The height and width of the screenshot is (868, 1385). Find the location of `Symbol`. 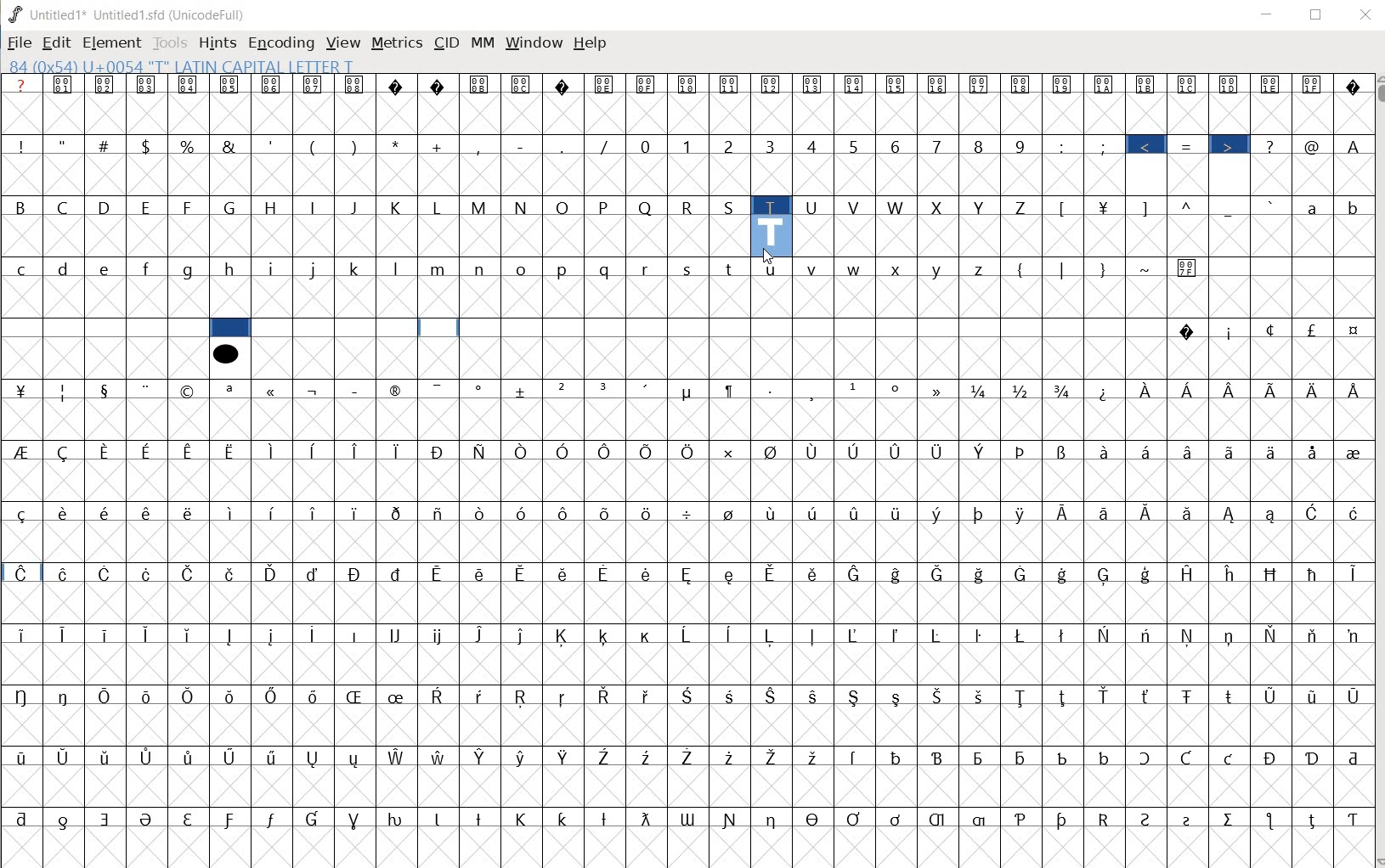

Symbol is located at coordinates (1022, 83).